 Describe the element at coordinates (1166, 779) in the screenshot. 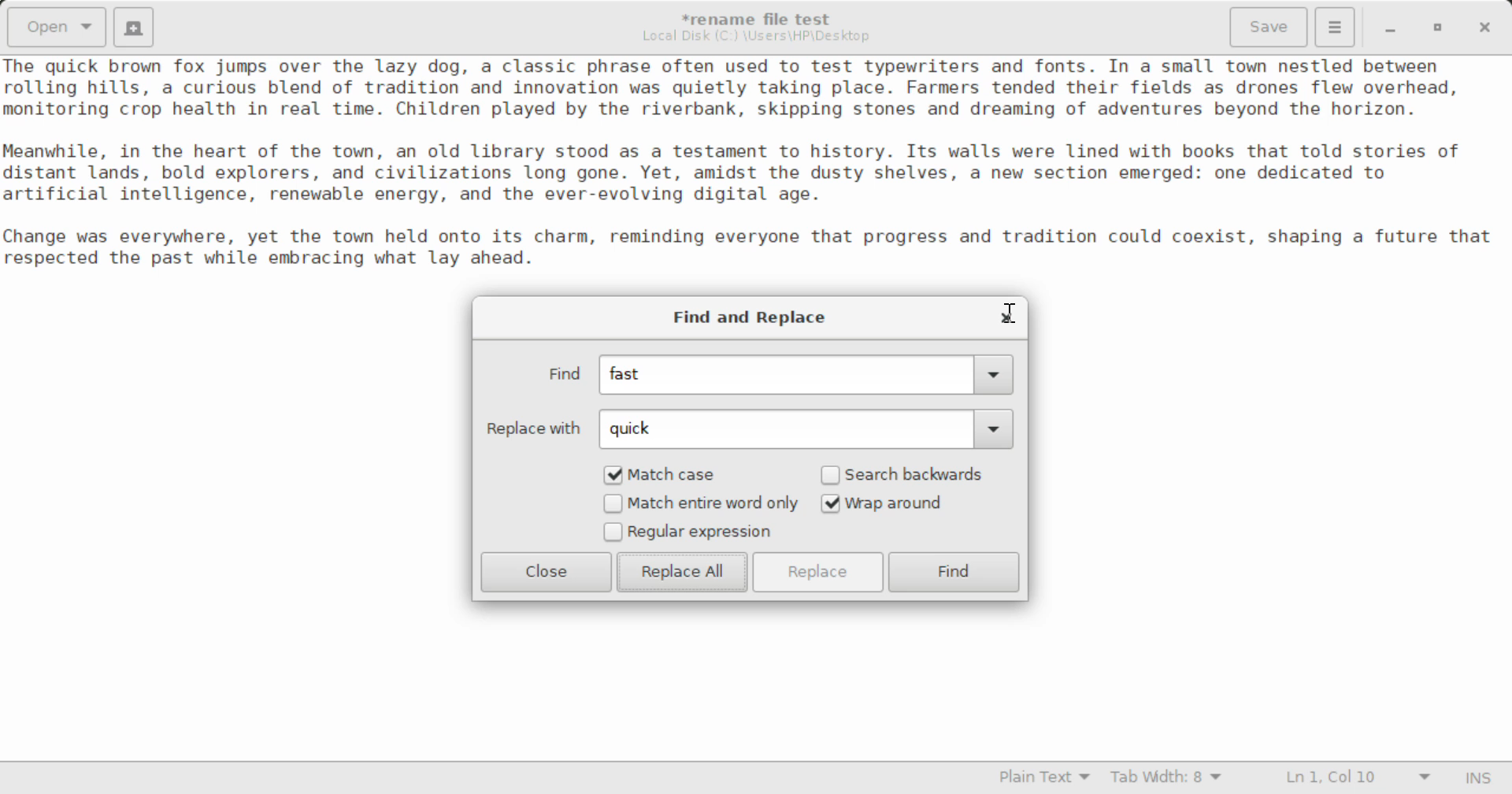

I see `Tab Width 8` at that location.